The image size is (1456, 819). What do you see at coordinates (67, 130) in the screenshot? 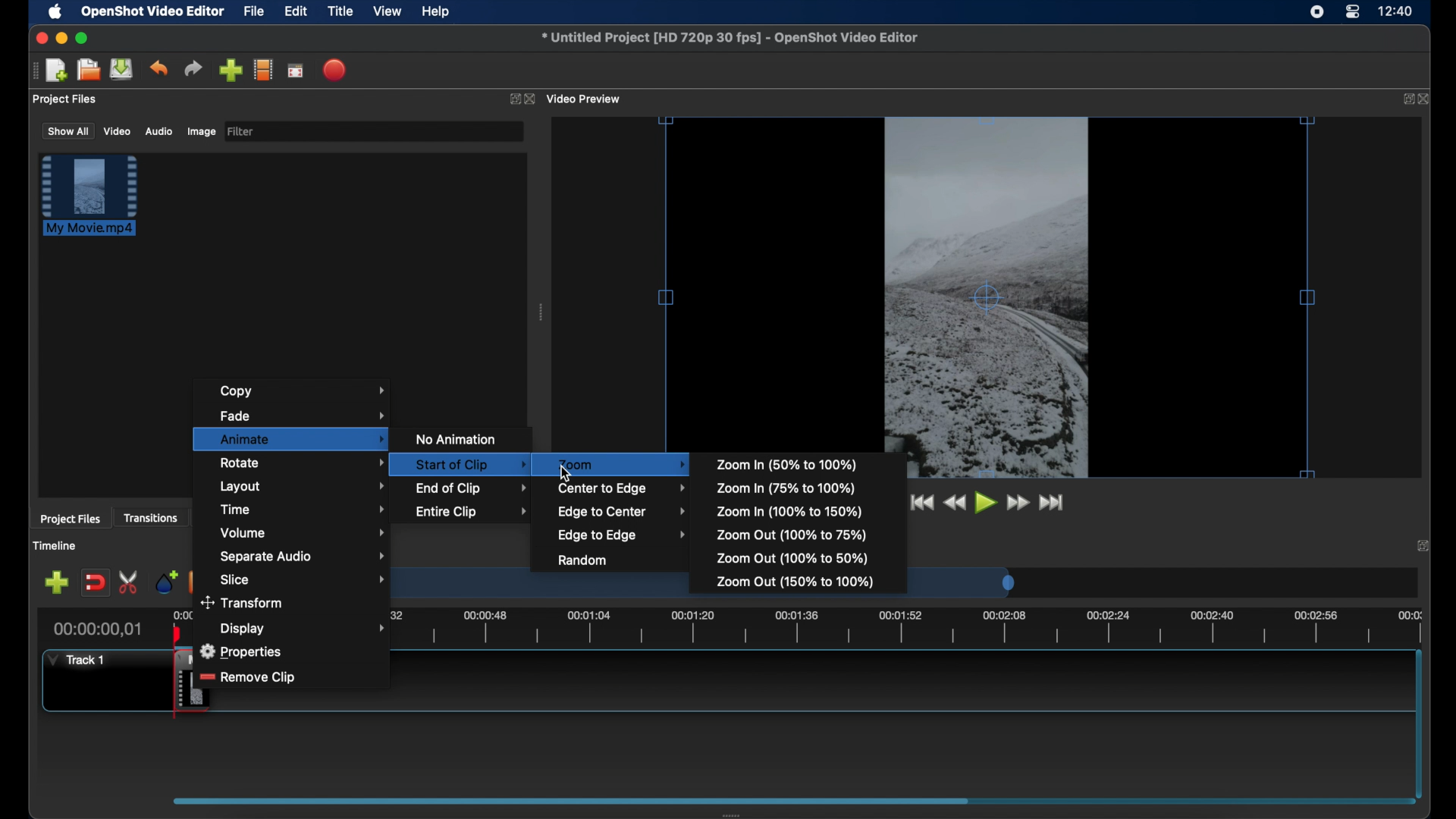
I see `show all` at bounding box center [67, 130].